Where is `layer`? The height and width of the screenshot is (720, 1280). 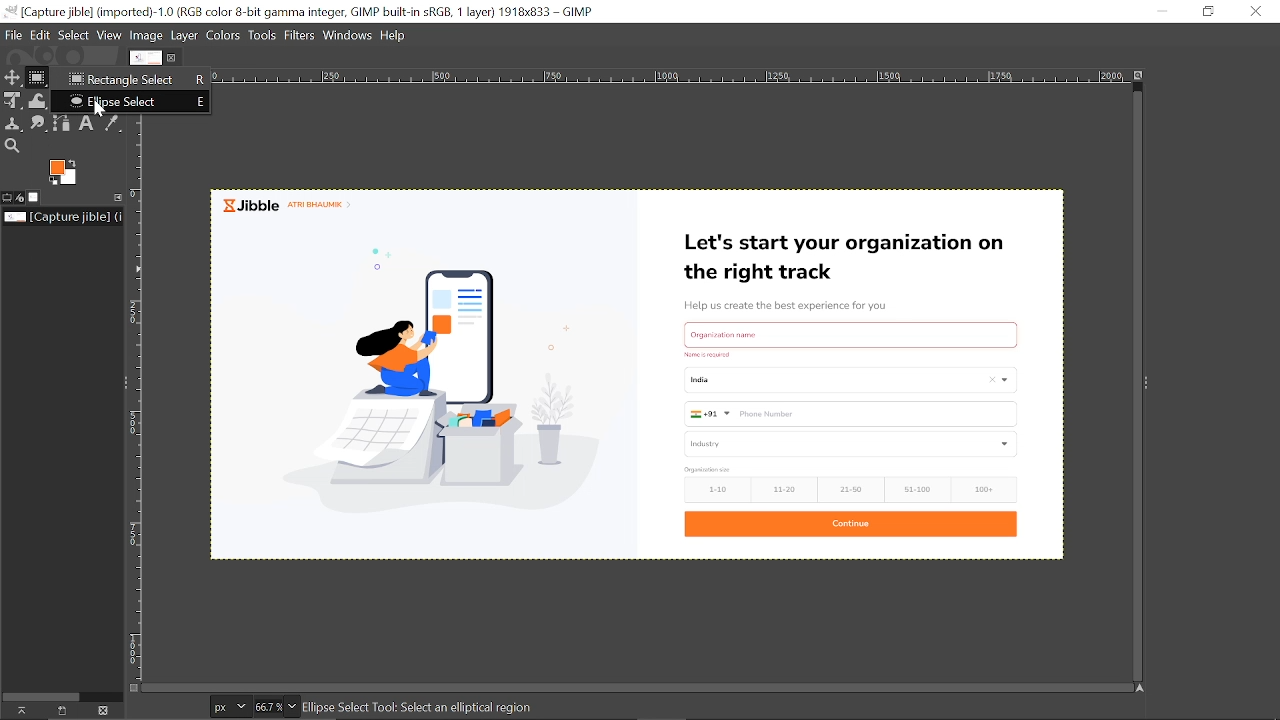 layer is located at coordinates (185, 34).